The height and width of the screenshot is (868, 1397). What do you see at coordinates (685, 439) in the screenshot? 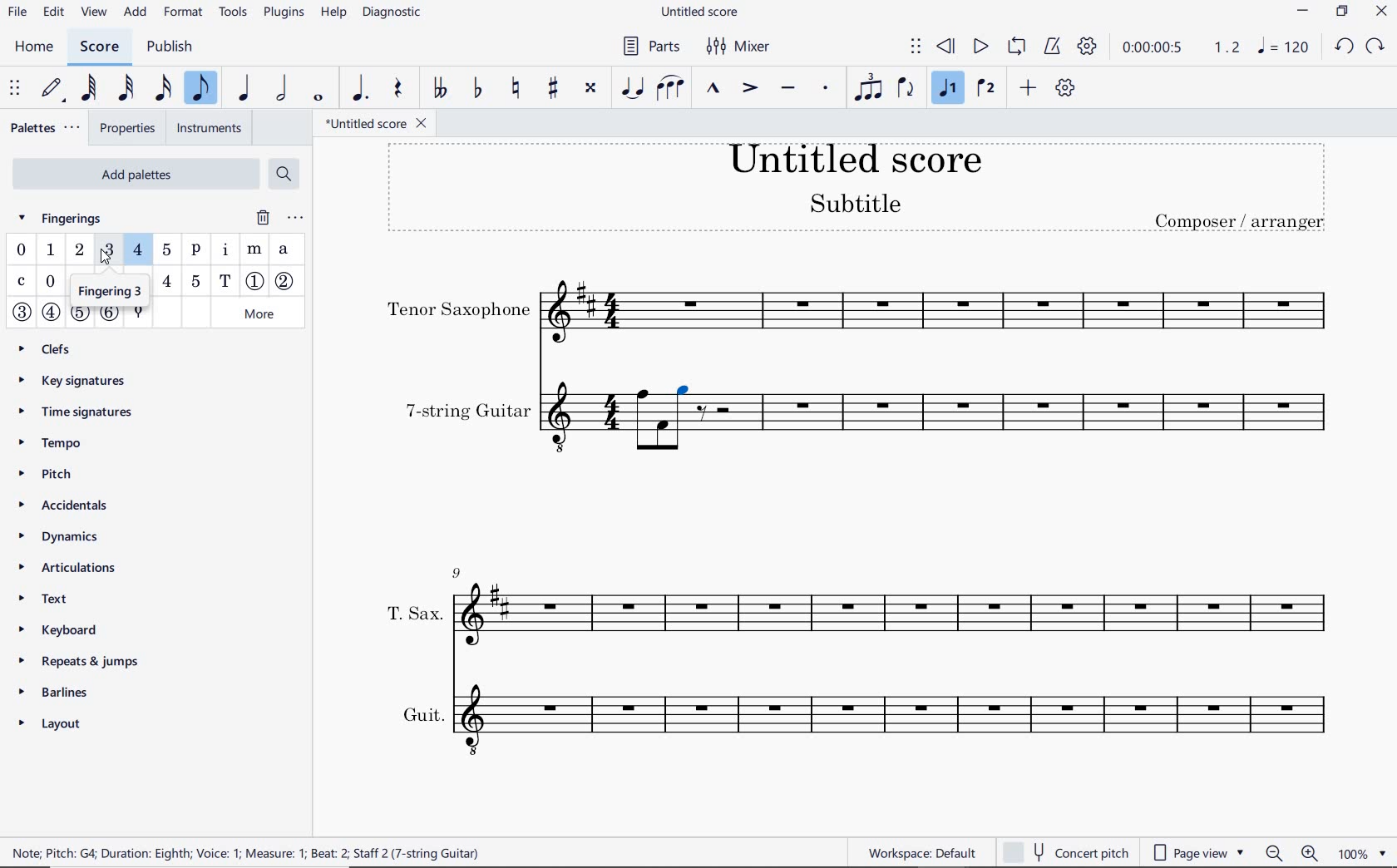
I see `` at bounding box center [685, 439].